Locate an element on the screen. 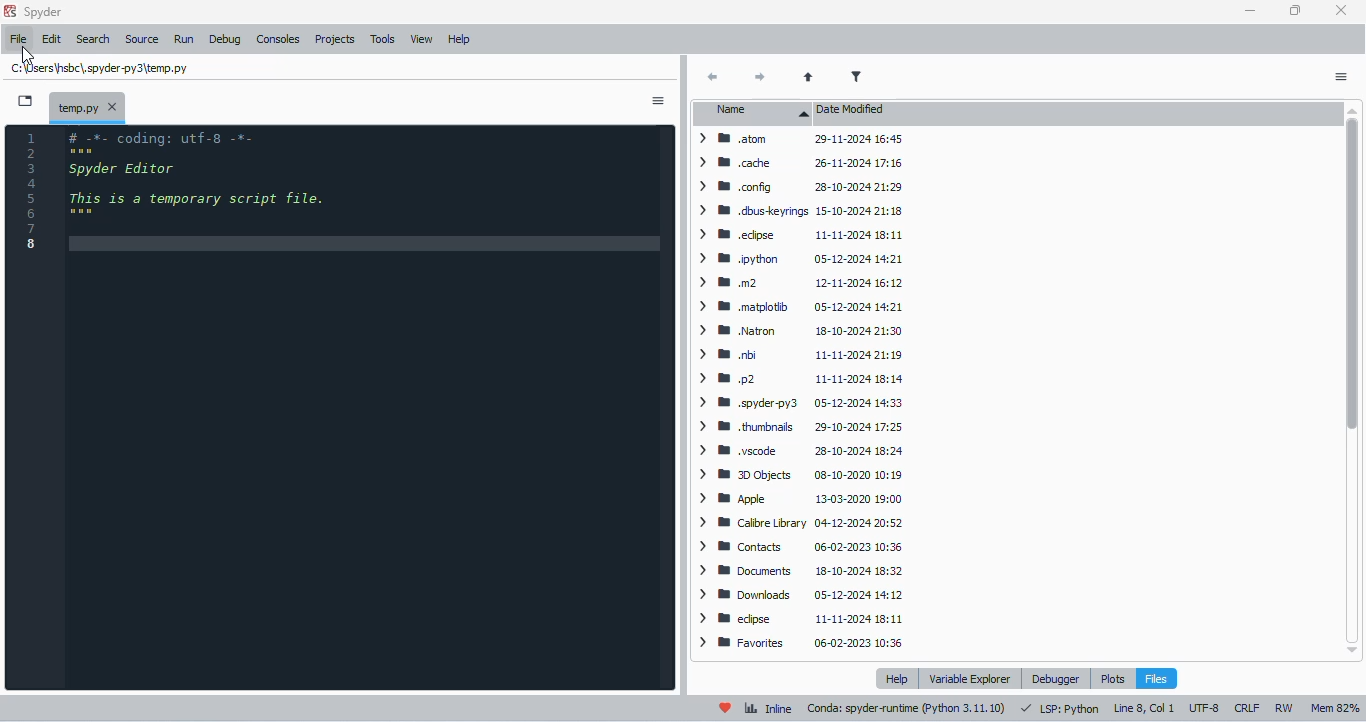 The height and width of the screenshot is (722, 1366). atom 29-11-2024 16:45 is located at coordinates (801, 140).